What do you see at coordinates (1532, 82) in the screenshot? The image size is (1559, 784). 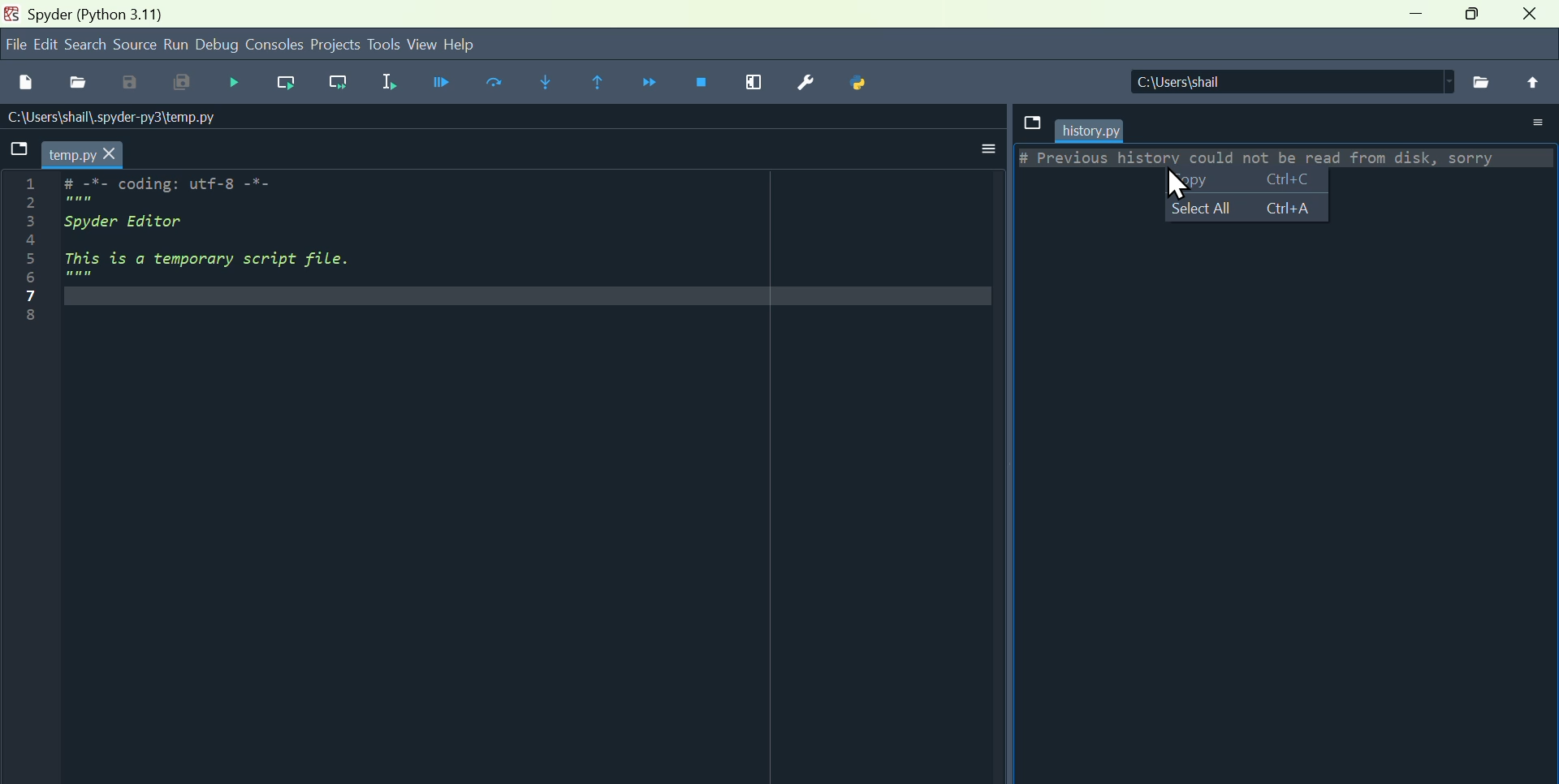 I see `Move up` at bounding box center [1532, 82].